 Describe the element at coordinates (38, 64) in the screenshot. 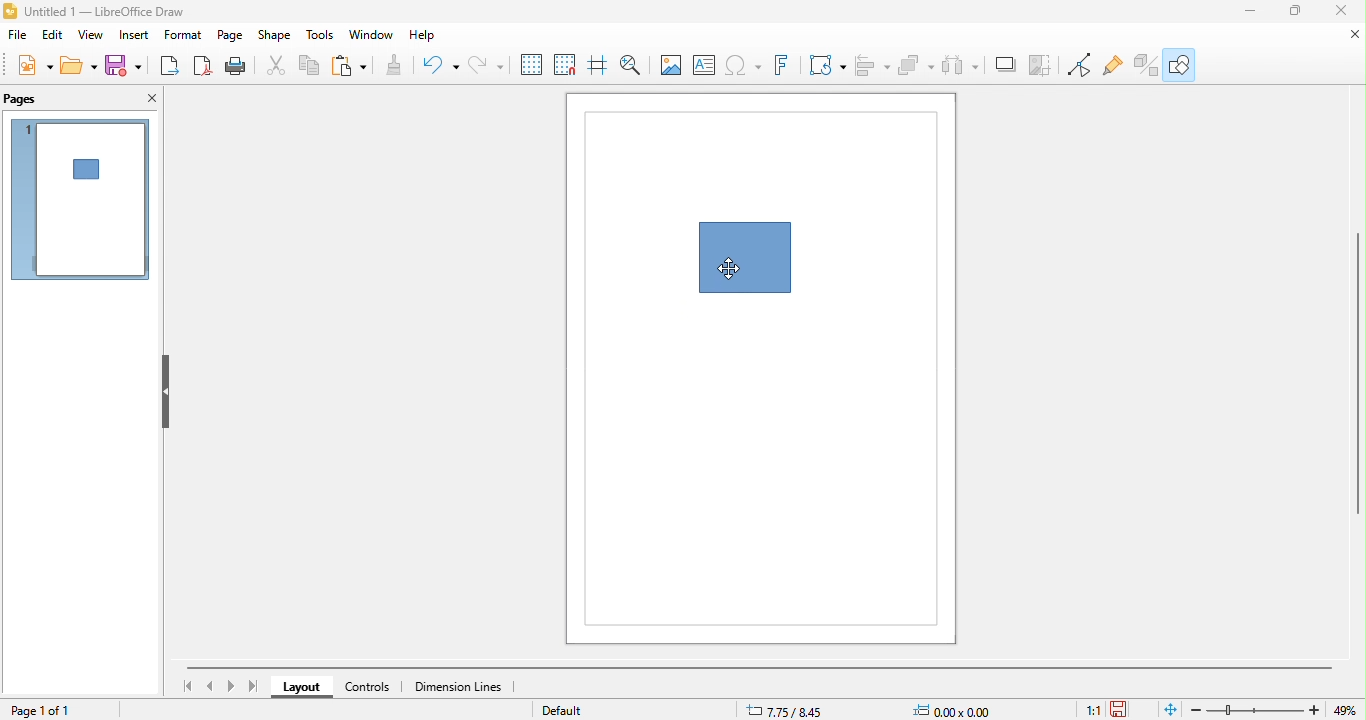

I see `new` at that location.